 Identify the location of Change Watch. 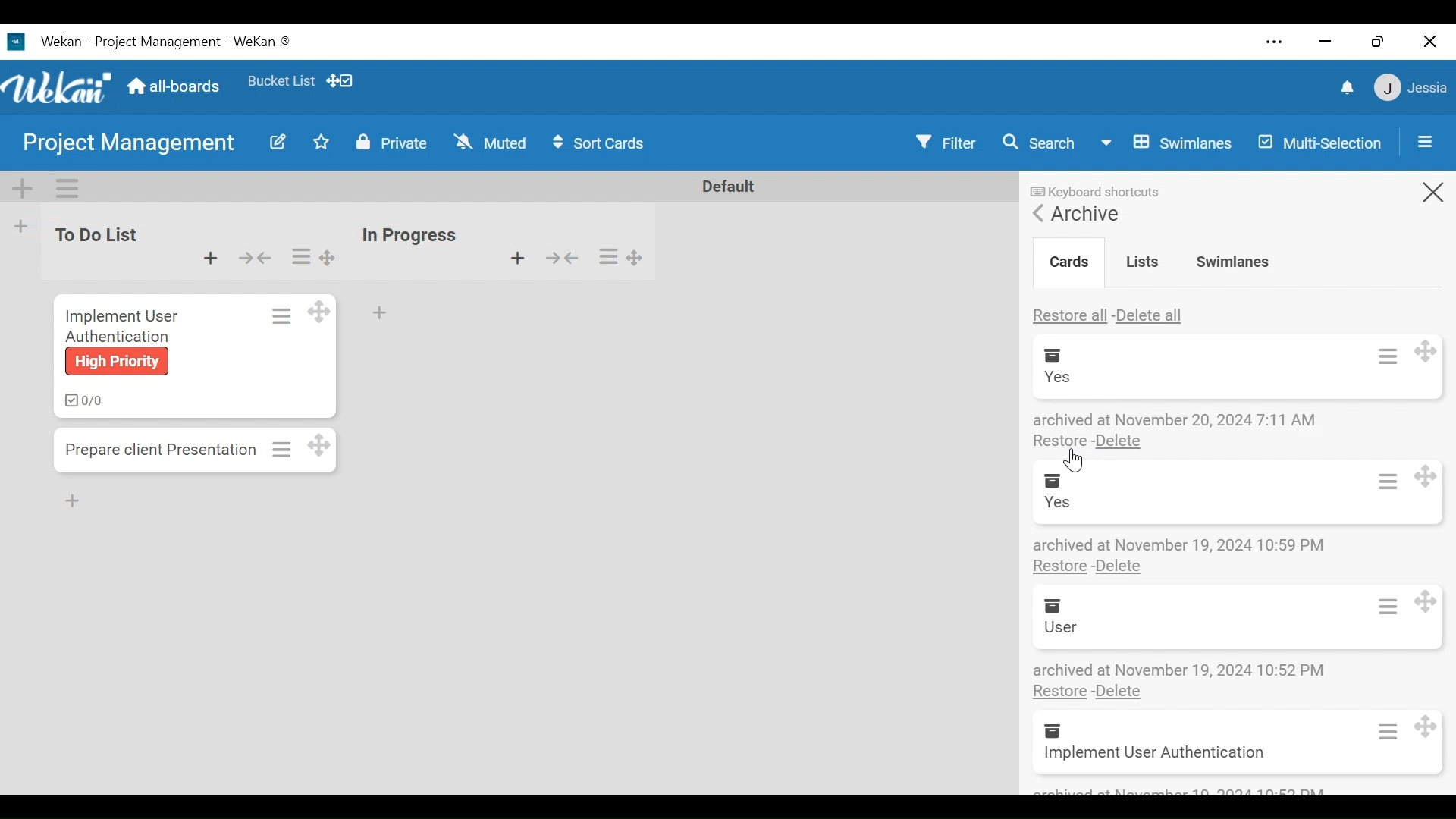
(491, 141).